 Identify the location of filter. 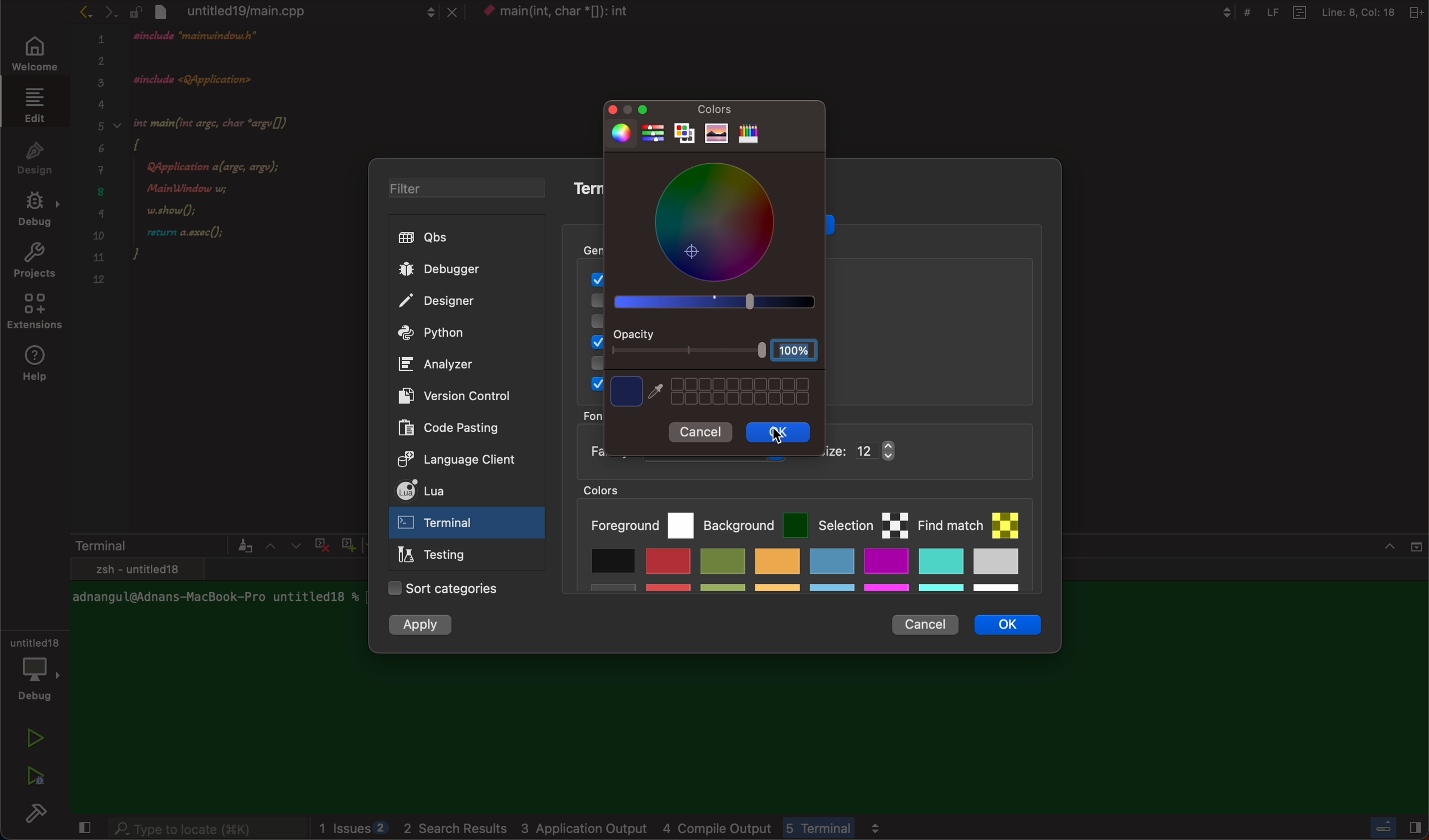
(458, 190).